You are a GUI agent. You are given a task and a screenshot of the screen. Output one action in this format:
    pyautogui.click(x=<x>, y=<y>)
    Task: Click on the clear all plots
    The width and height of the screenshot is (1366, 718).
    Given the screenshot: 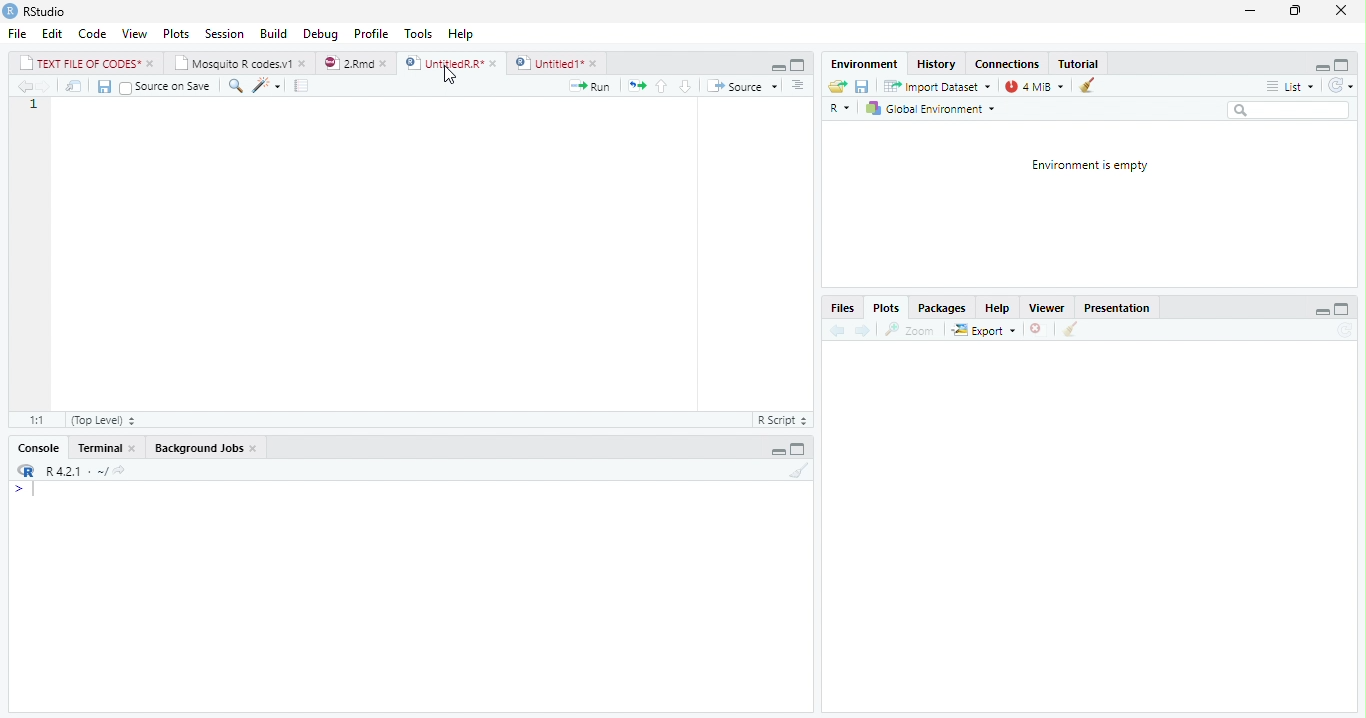 What is the action you would take?
    pyautogui.click(x=1069, y=330)
    